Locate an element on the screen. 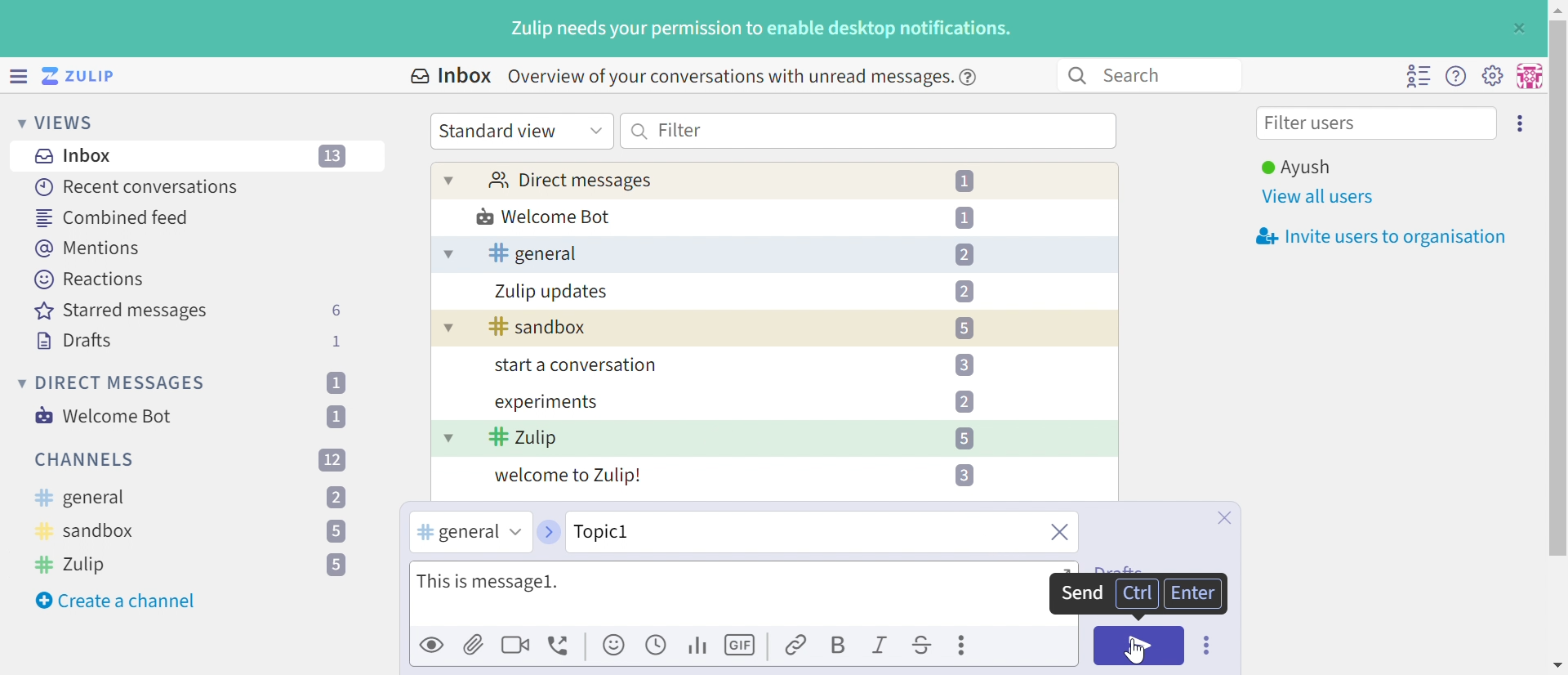 The image size is (1568, 675). 12 is located at coordinates (332, 458).